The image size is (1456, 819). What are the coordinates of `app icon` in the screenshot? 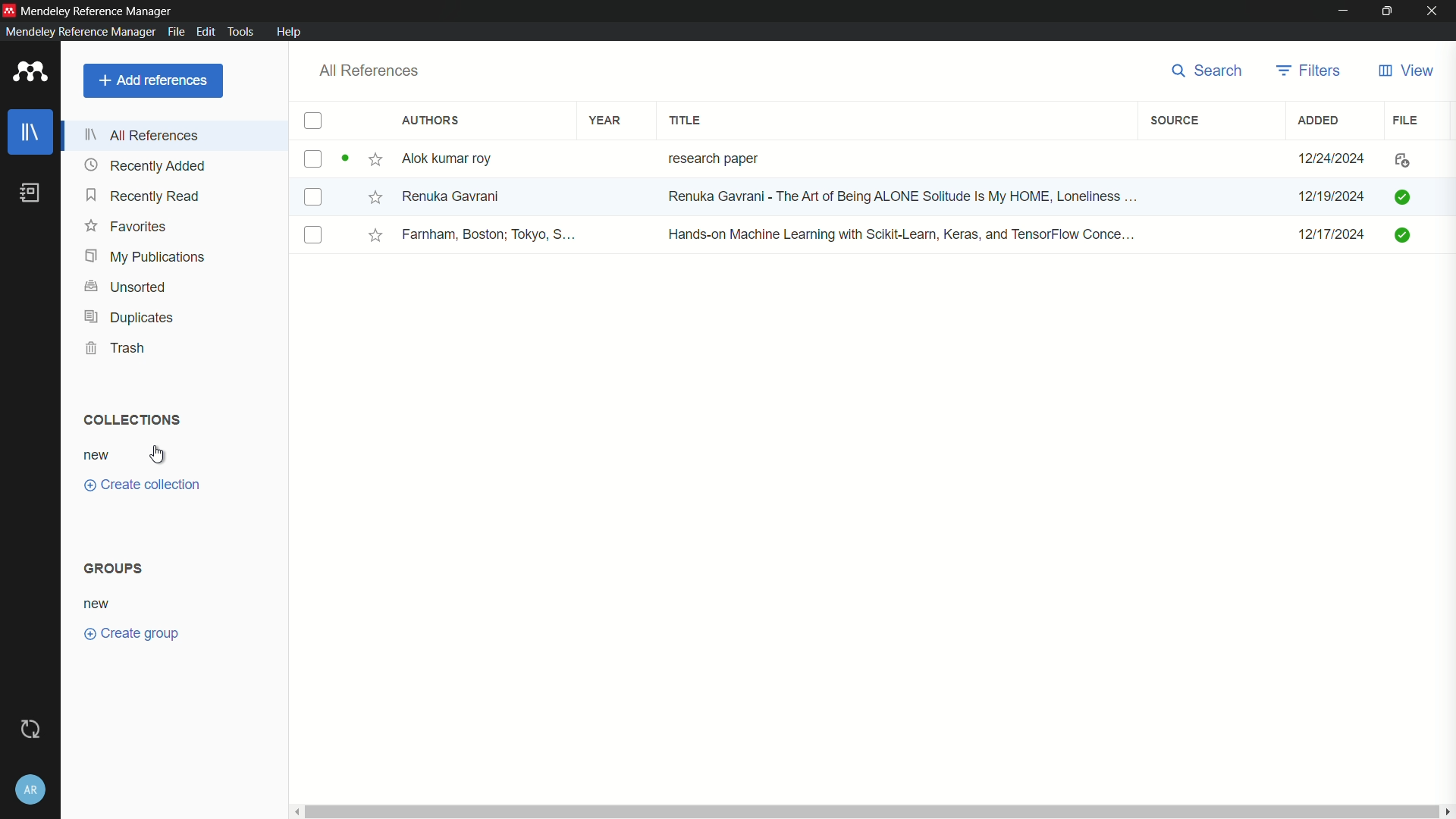 It's located at (30, 71).